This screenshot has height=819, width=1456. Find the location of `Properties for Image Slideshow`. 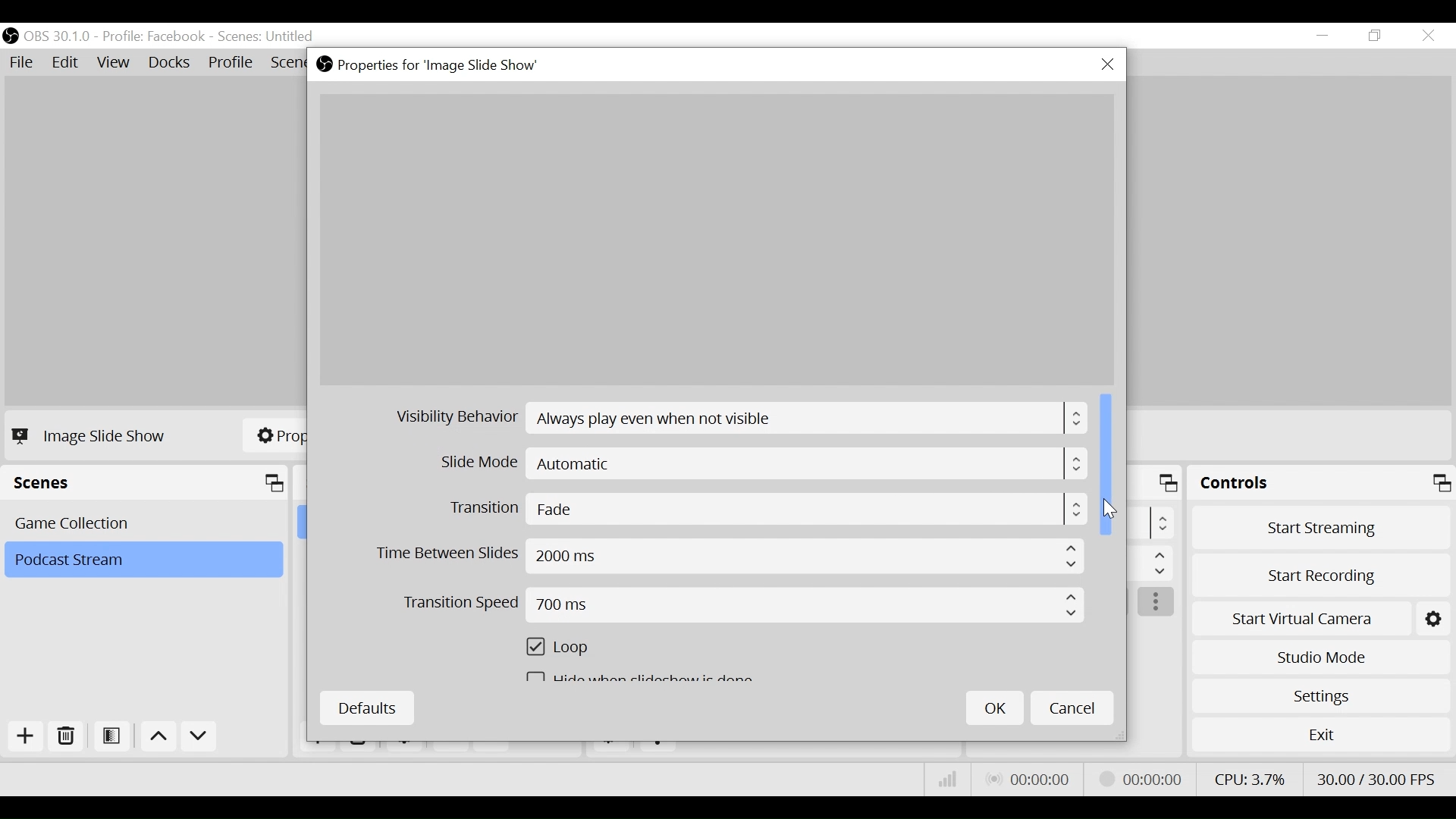

Properties for Image Slideshow is located at coordinates (431, 65).